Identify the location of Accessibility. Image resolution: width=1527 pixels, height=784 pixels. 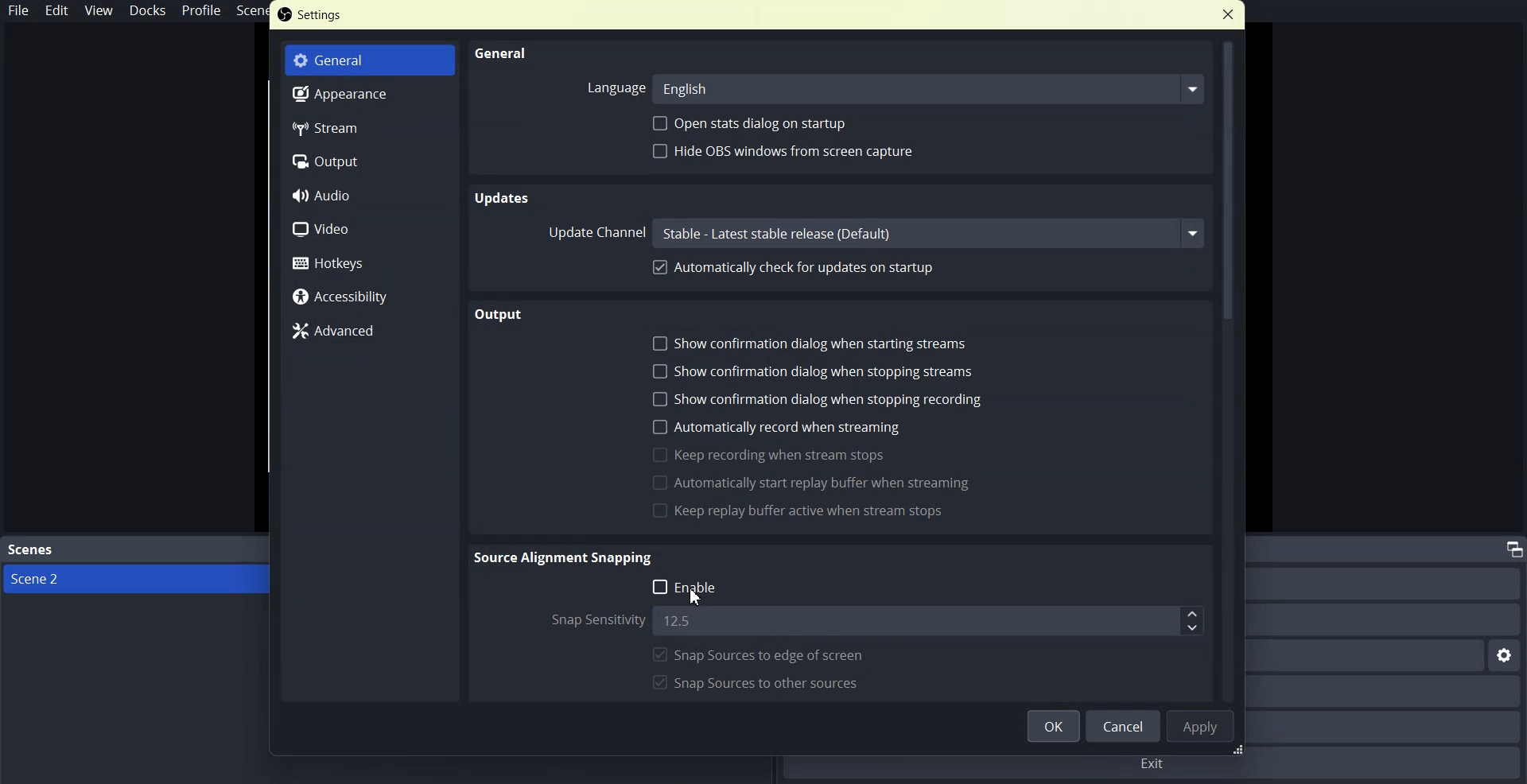
(370, 294).